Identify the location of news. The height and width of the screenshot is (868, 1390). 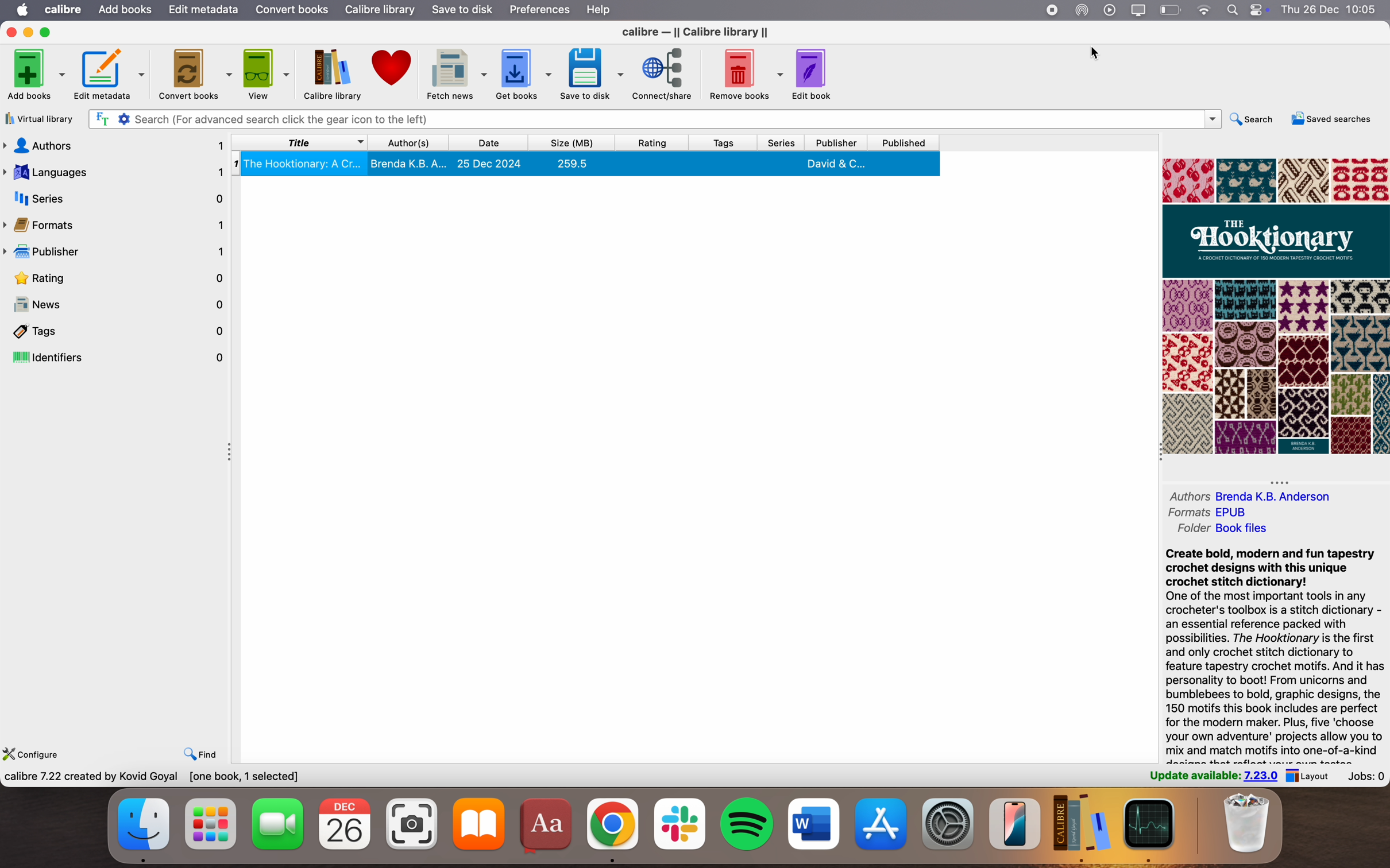
(118, 305).